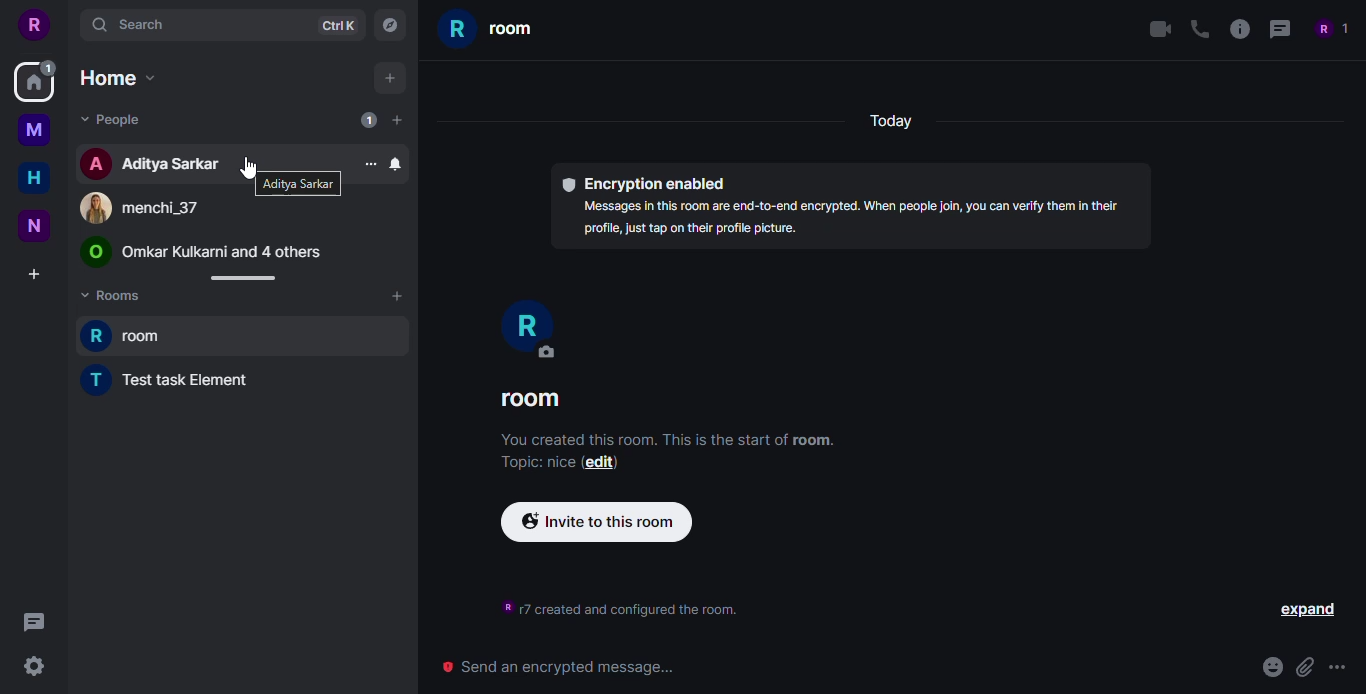  I want to click on more, so click(369, 164).